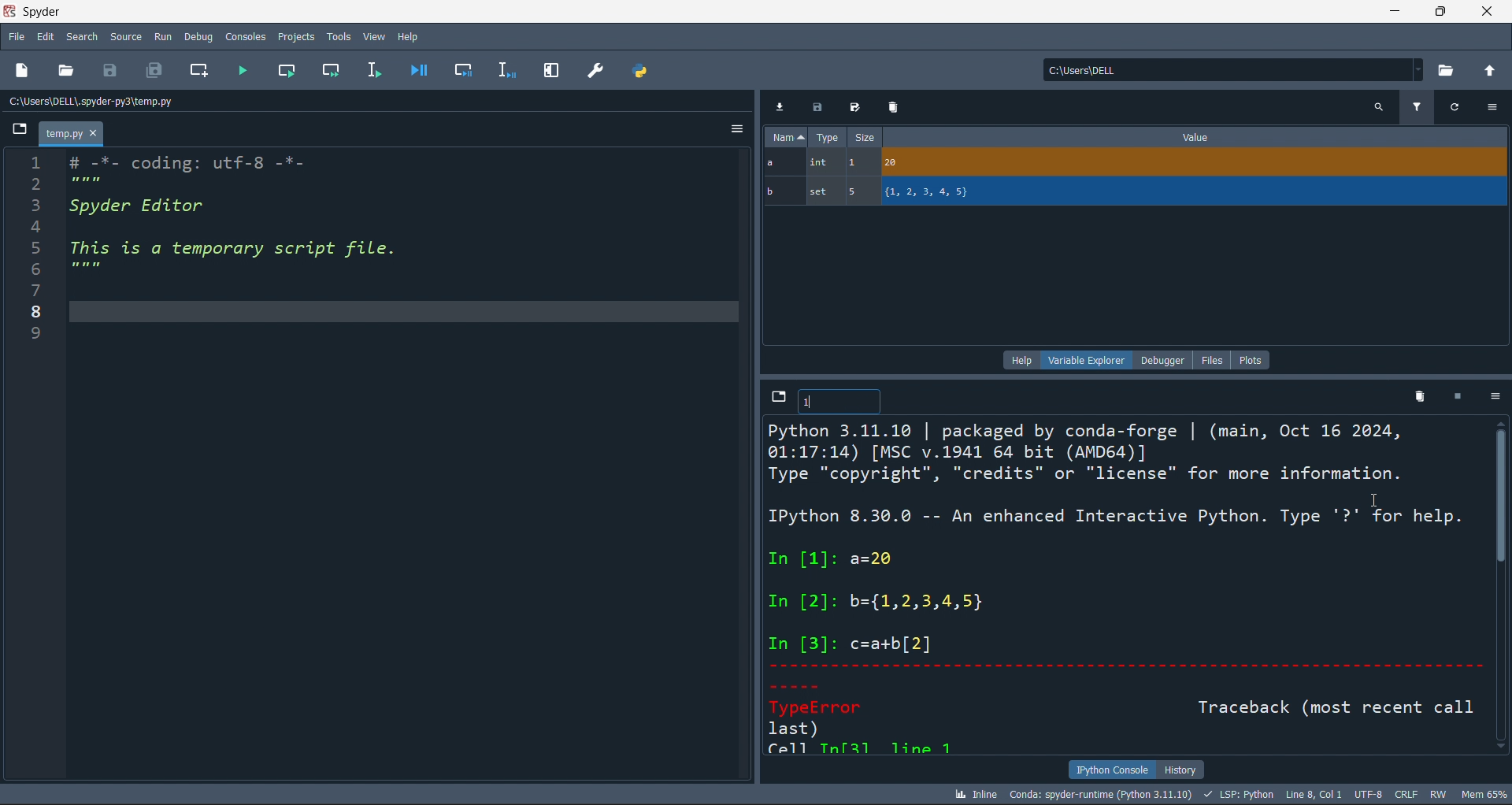  I want to click on delete, so click(1417, 395).